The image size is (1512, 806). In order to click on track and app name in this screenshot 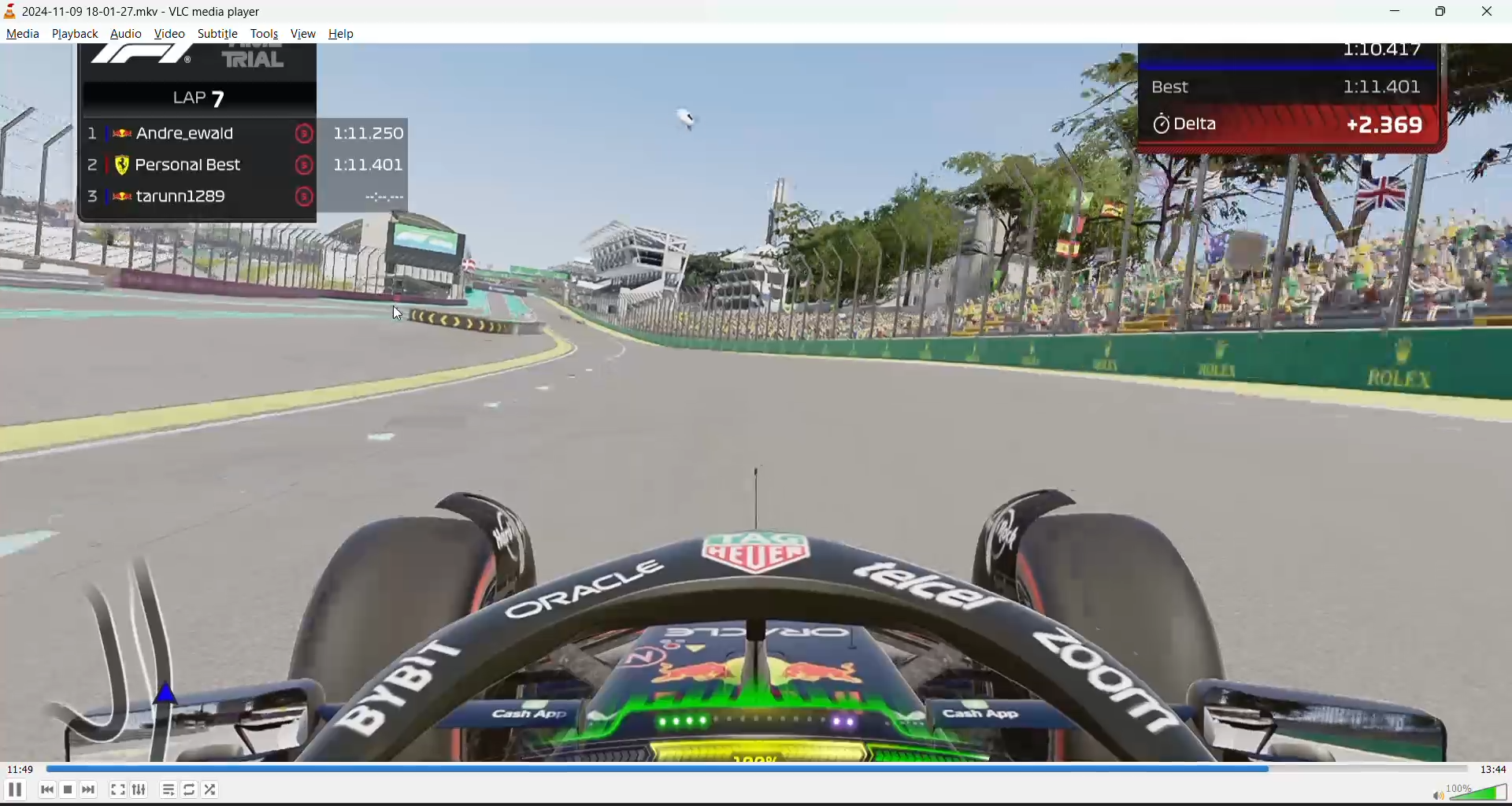, I will do `click(141, 12)`.